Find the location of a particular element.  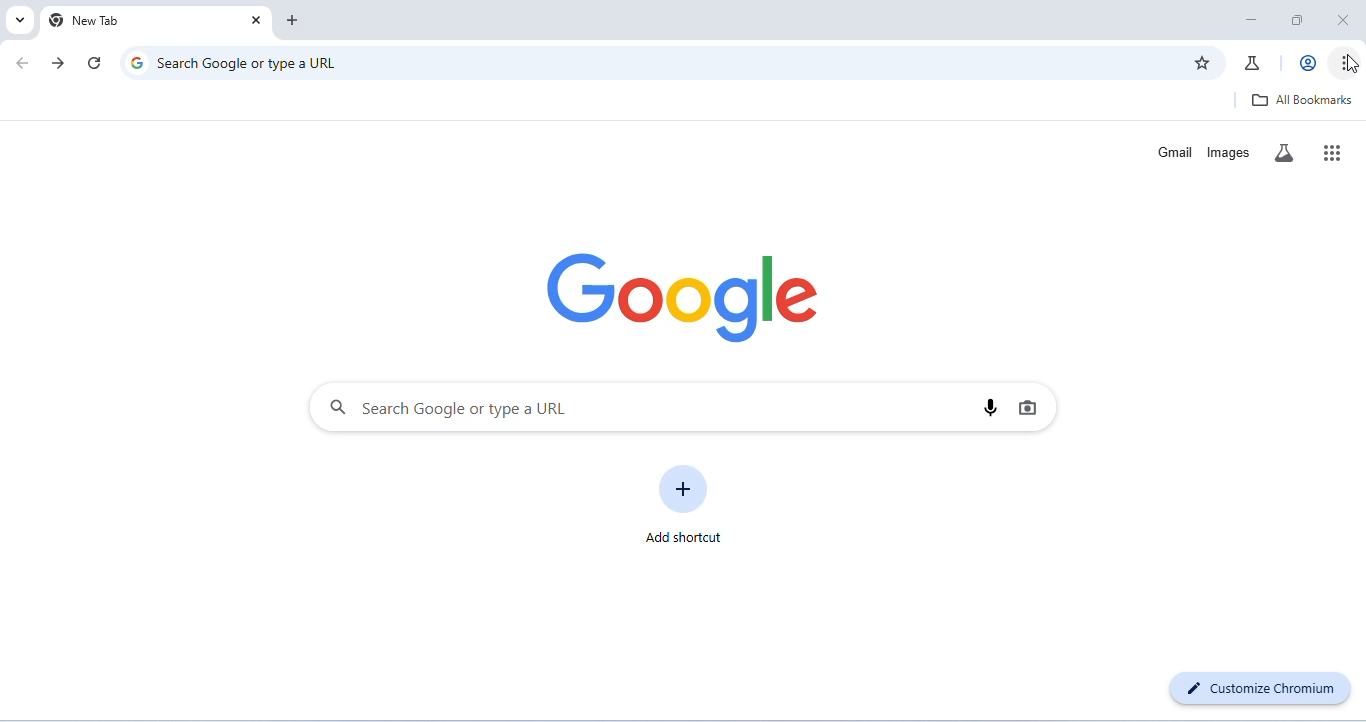

add bookmark is located at coordinates (1204, 61).